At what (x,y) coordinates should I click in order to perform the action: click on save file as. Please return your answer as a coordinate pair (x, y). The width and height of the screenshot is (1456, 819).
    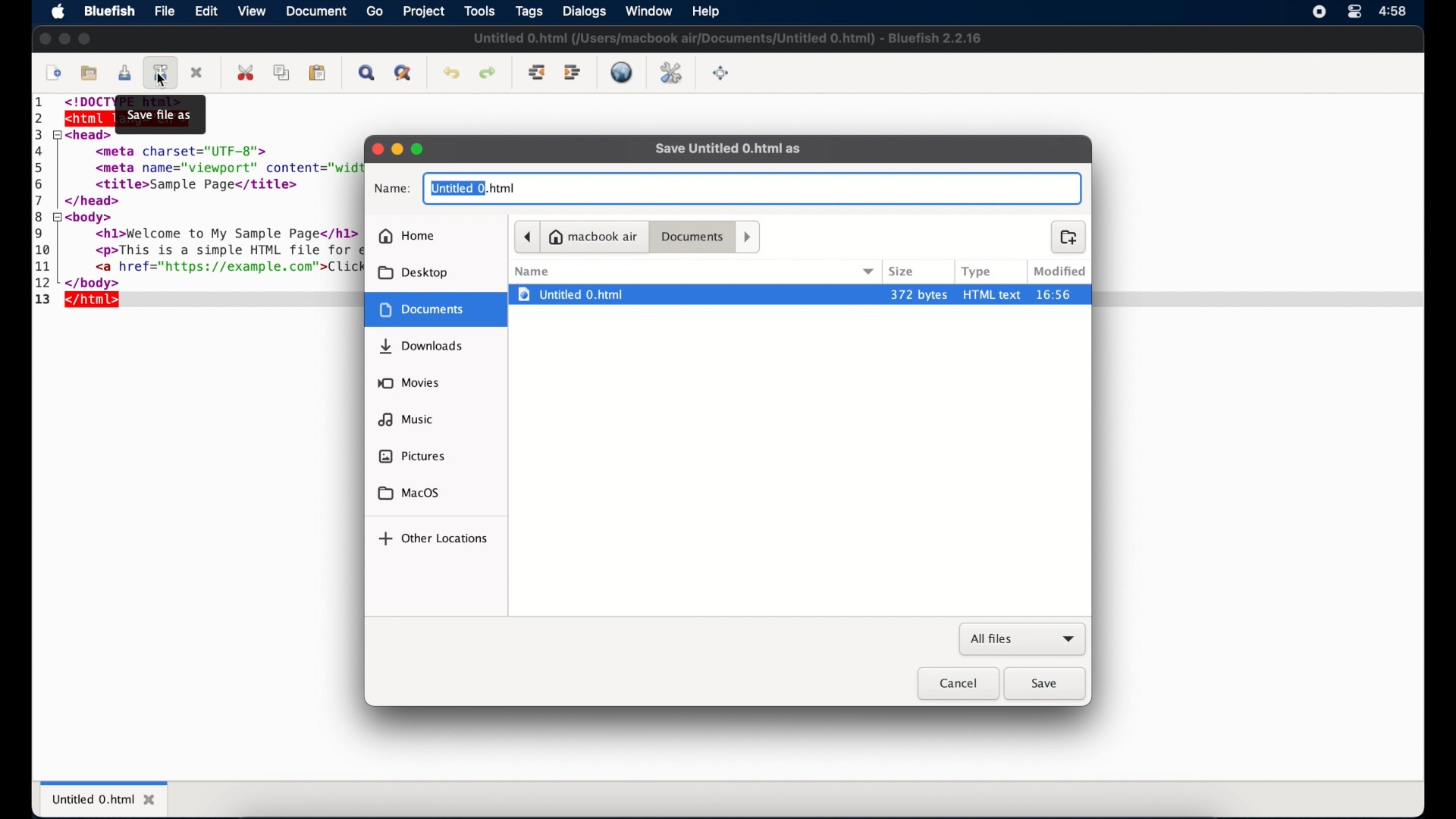
    Looking at the image, I should click on (159, 115).